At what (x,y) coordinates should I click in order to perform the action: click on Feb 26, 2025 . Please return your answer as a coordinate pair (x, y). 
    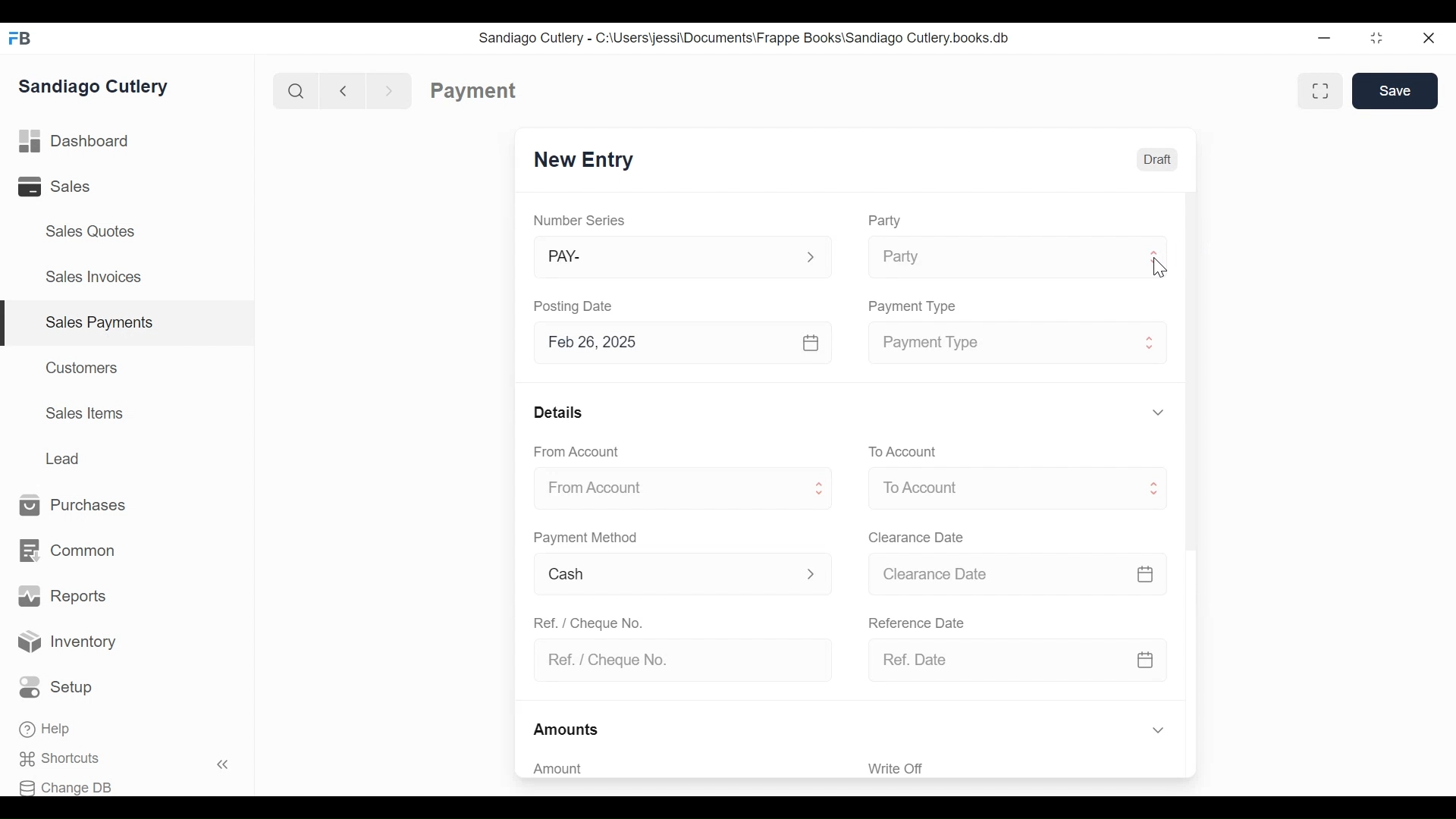
    Looking at the image, I should click on (664, 343).